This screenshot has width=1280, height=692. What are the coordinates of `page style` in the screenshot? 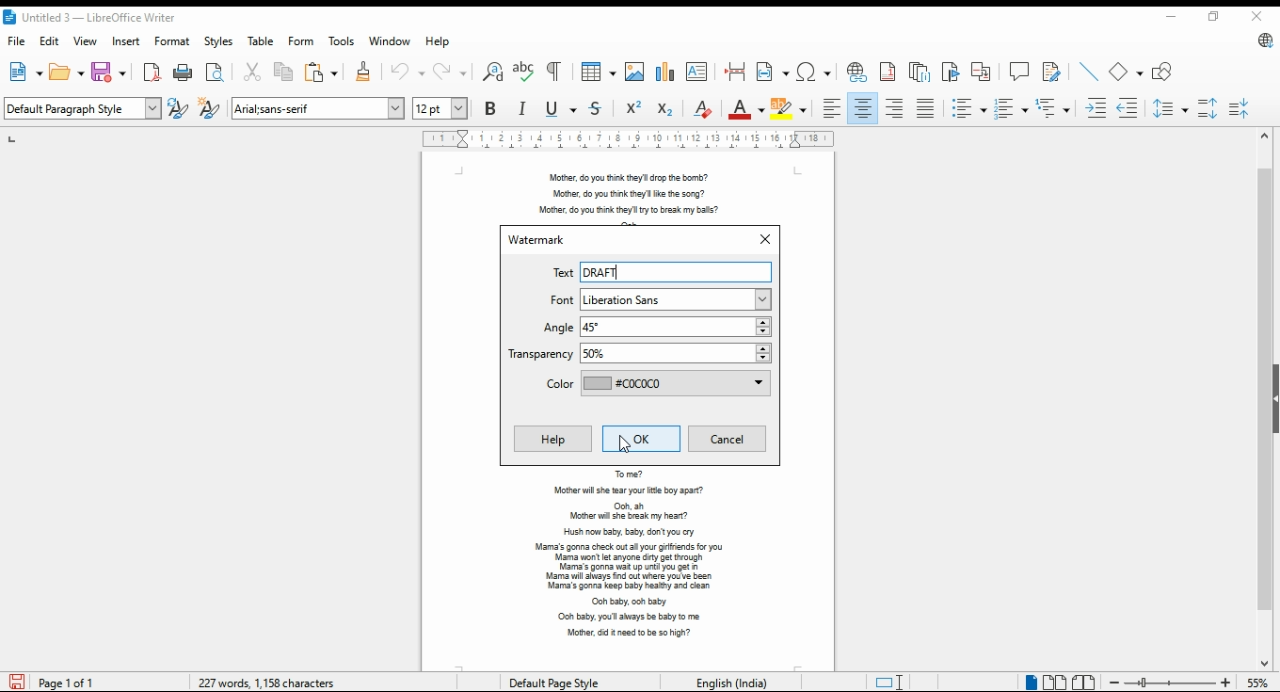 It's located at (549, 680).